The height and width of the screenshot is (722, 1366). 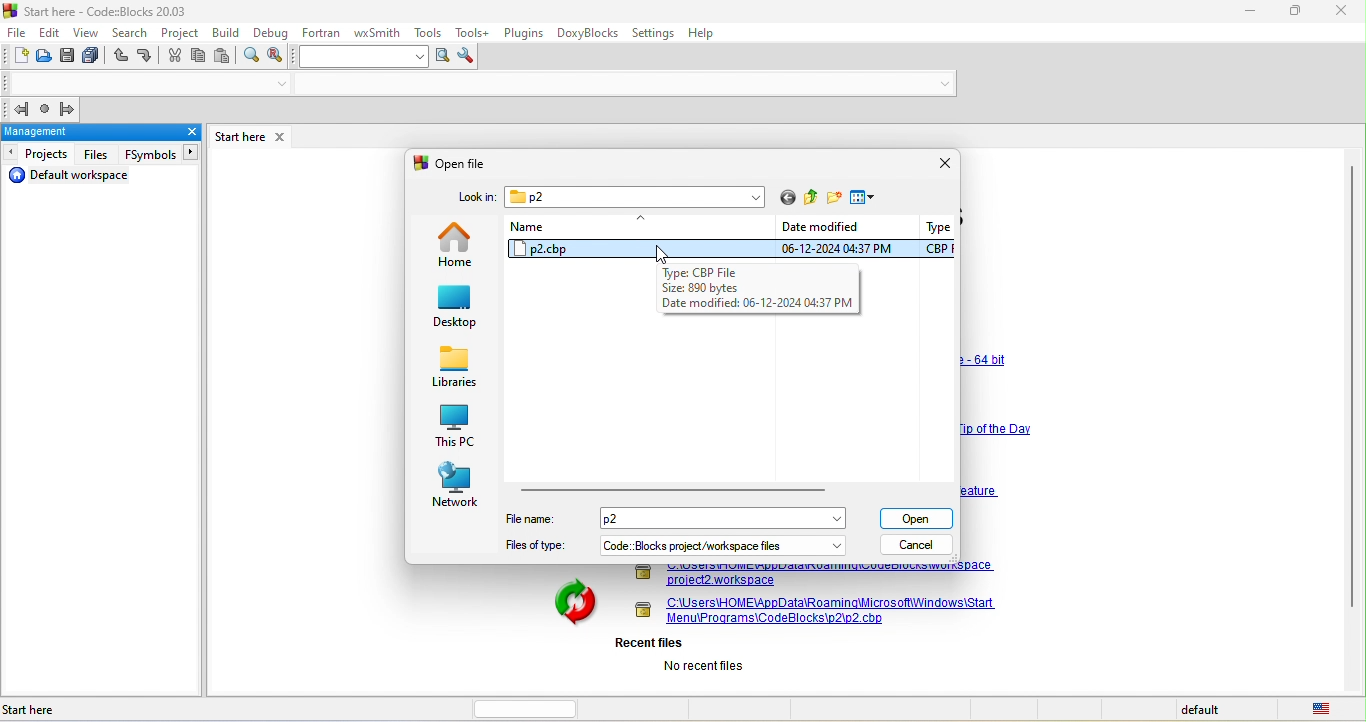 What do you see at coordinates (160, 154) in the screenshot?
I see `fsymbols` at bounding box center [160, 154].